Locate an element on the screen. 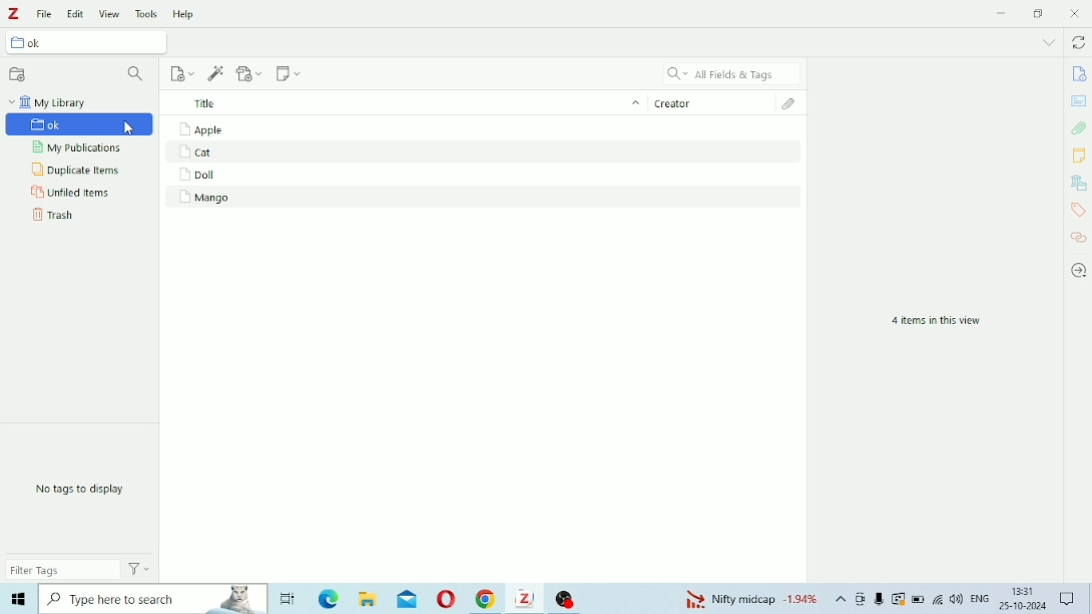 This screenshot has width=1092, height=614. Help is located at coordinates (184, 13).